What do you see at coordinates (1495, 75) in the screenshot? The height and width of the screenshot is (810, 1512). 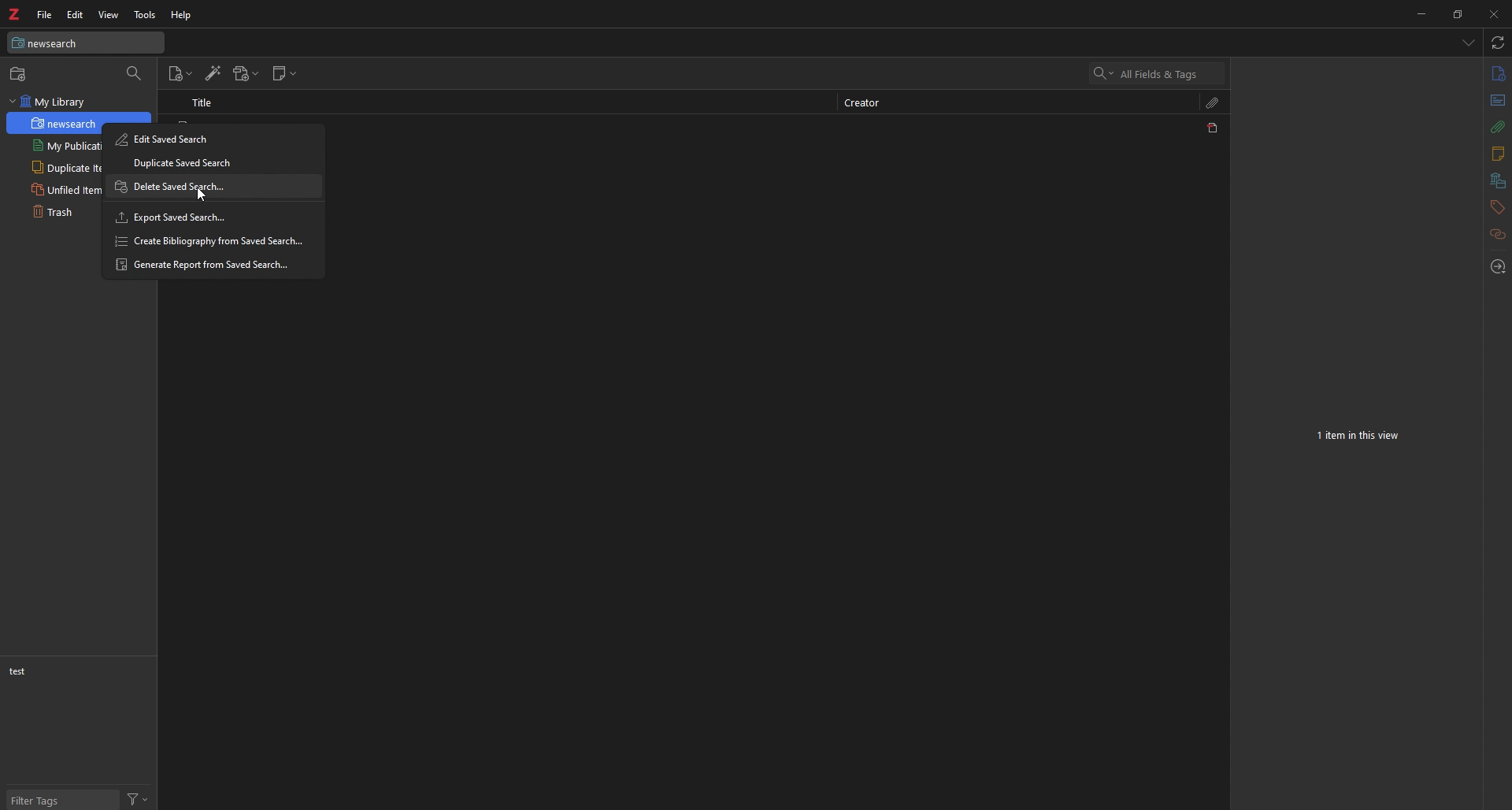 I see `info` at bounding box center [1495, 75].